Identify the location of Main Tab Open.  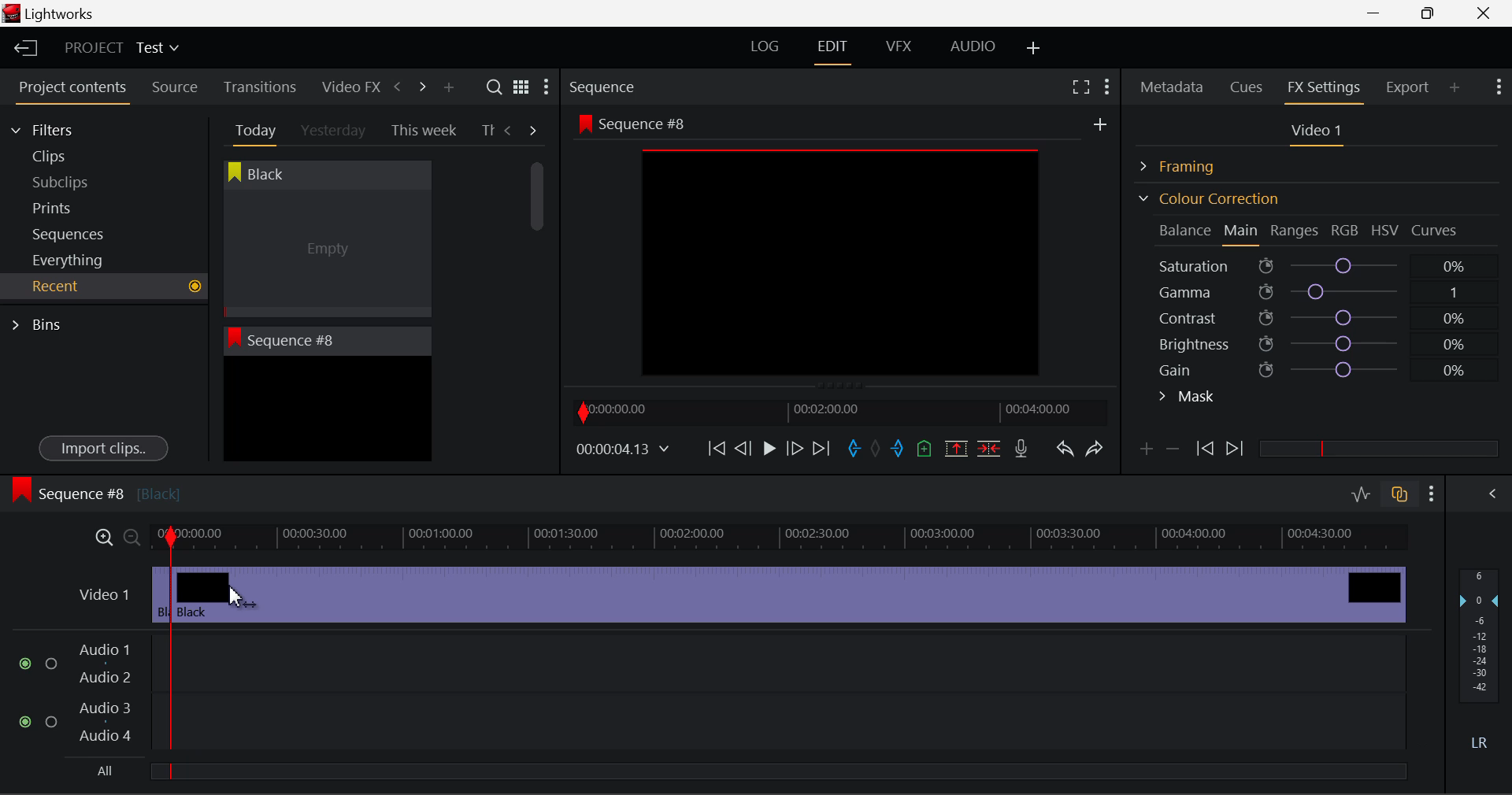
(1242, 232).